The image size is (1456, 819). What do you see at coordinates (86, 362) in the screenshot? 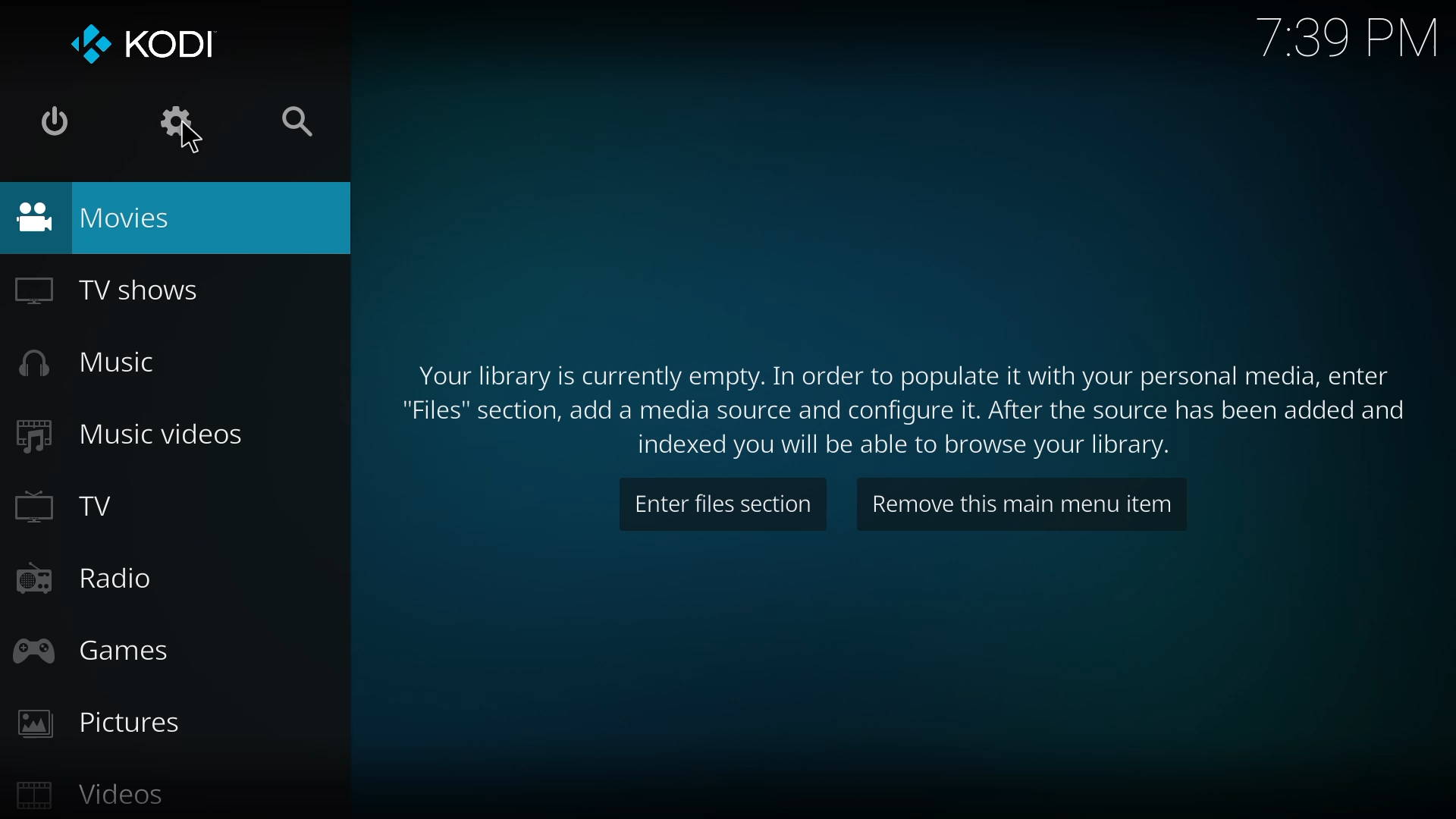
I see `music` at bounding box center [86, 362].